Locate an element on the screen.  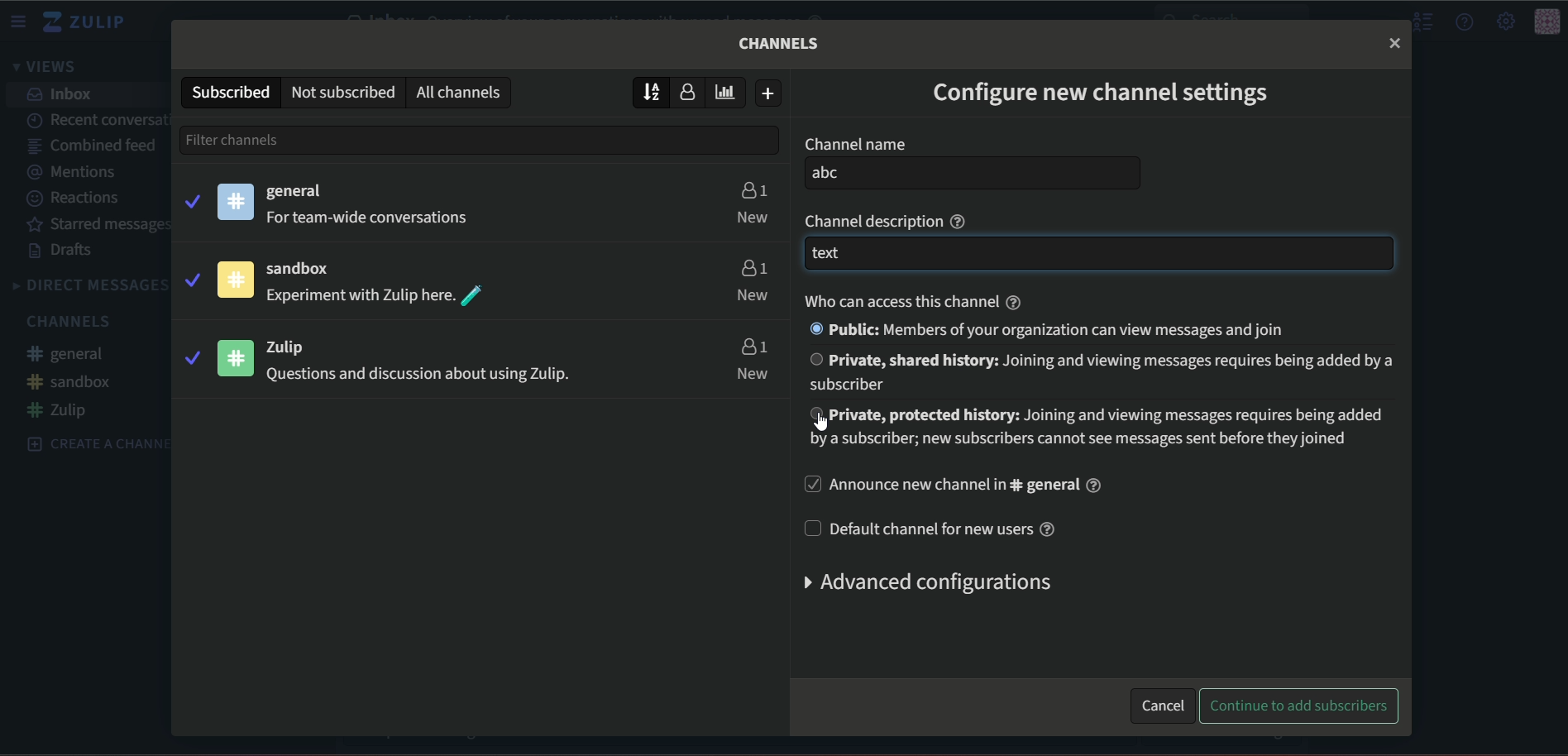
configure new channel settings is located at coordinates (1102, 96).